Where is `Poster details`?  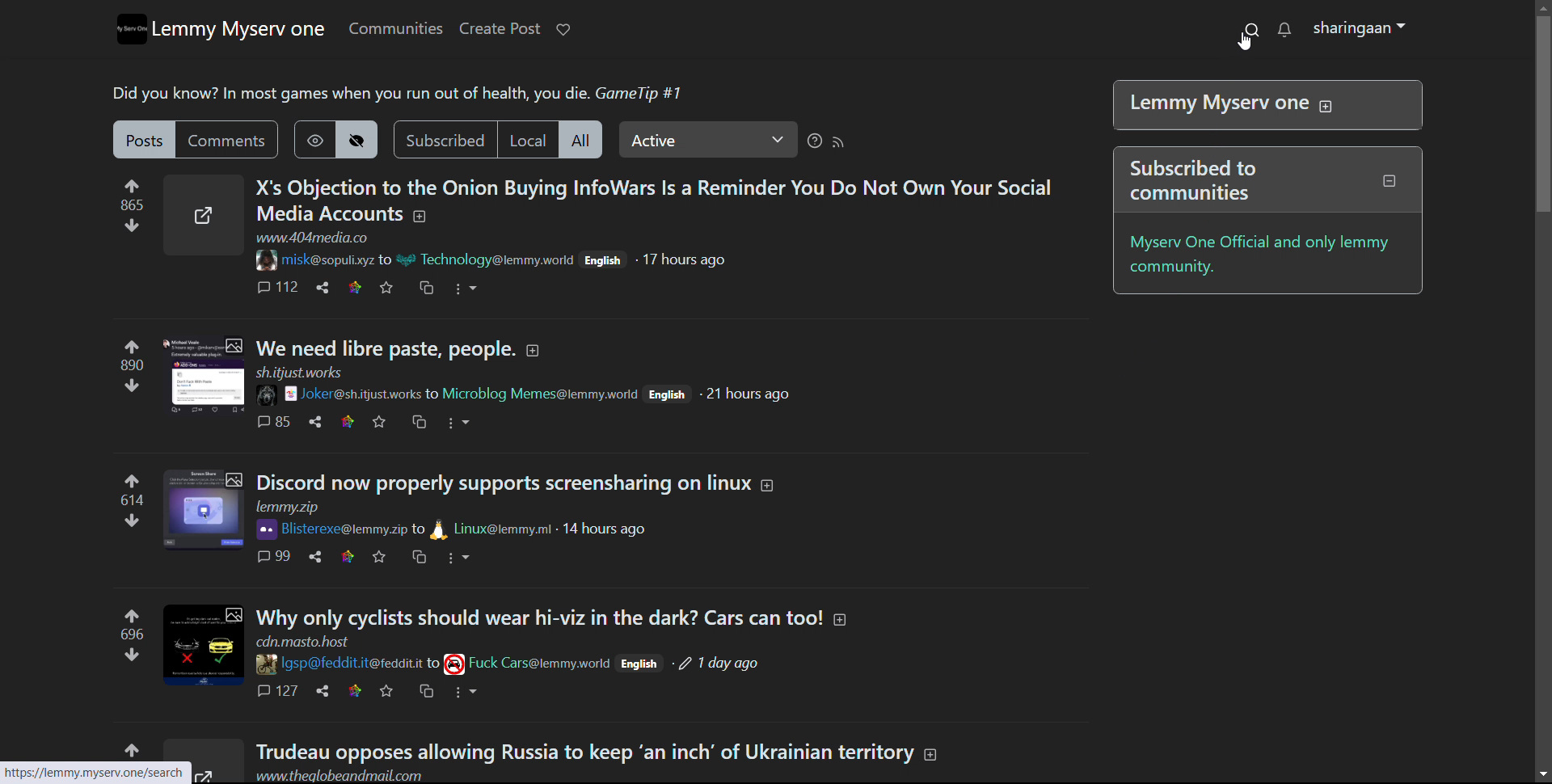 Poster details is located at coordinates (424, 263).